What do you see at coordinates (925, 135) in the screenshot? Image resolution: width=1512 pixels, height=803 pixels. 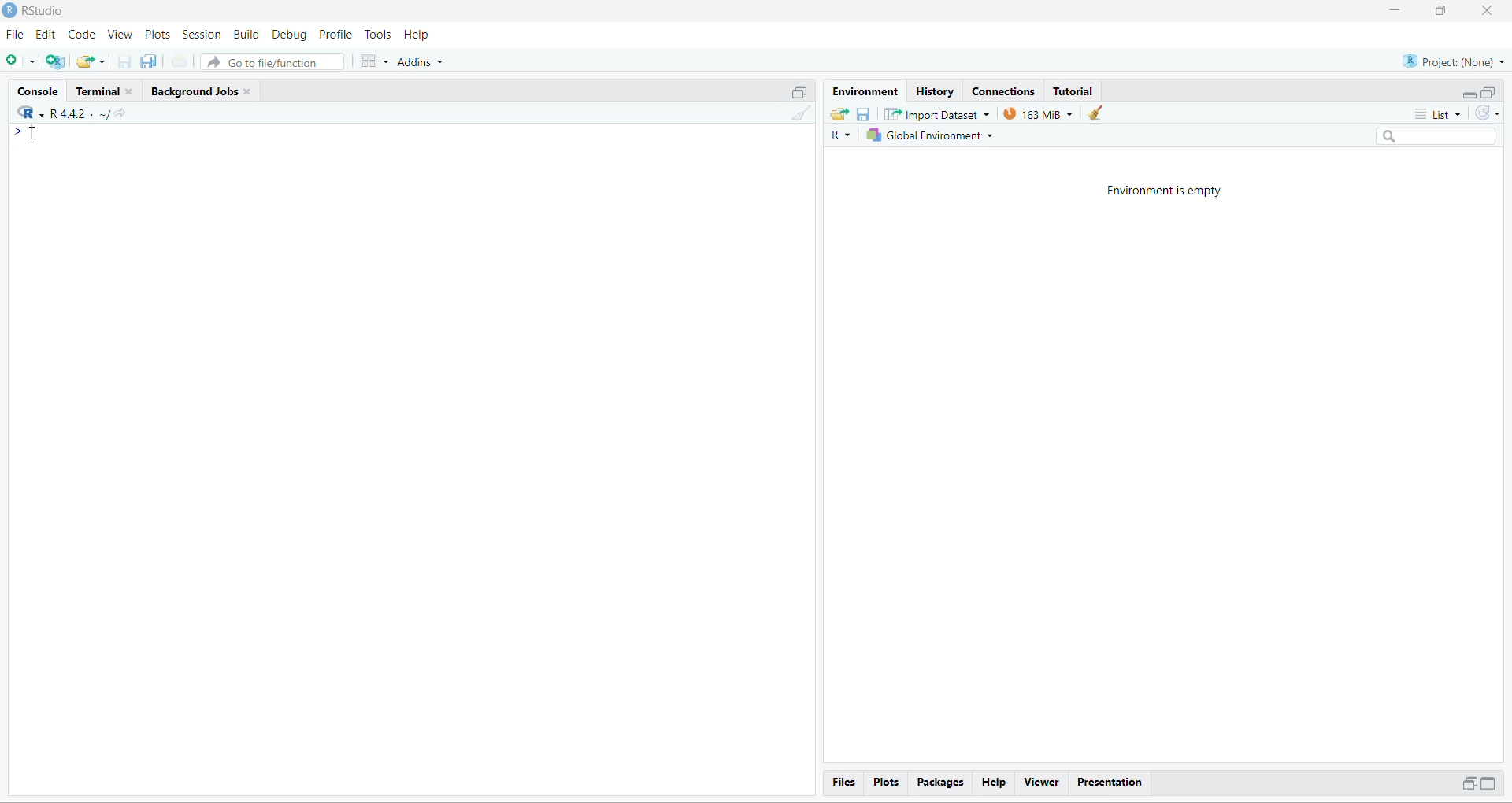 I see `global Environment` at bounding box center [925, 135].